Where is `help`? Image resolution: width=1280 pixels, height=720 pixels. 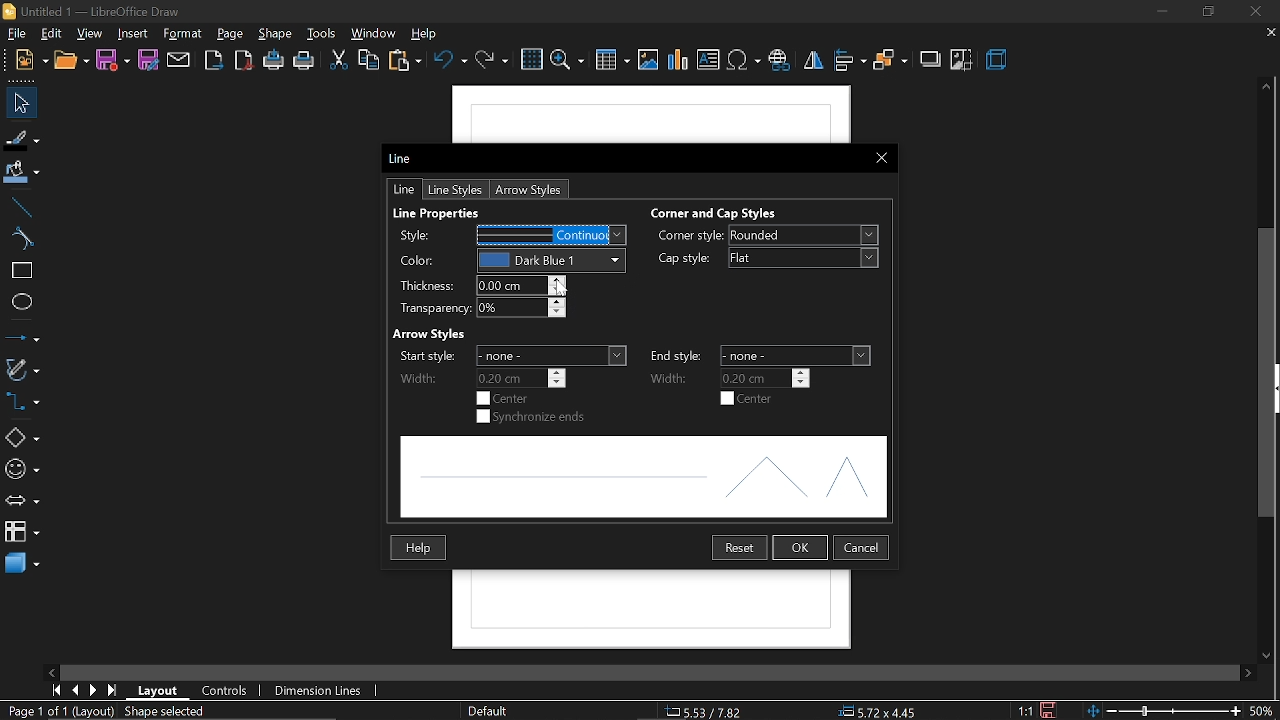 help is located at coordinates (429, 34).